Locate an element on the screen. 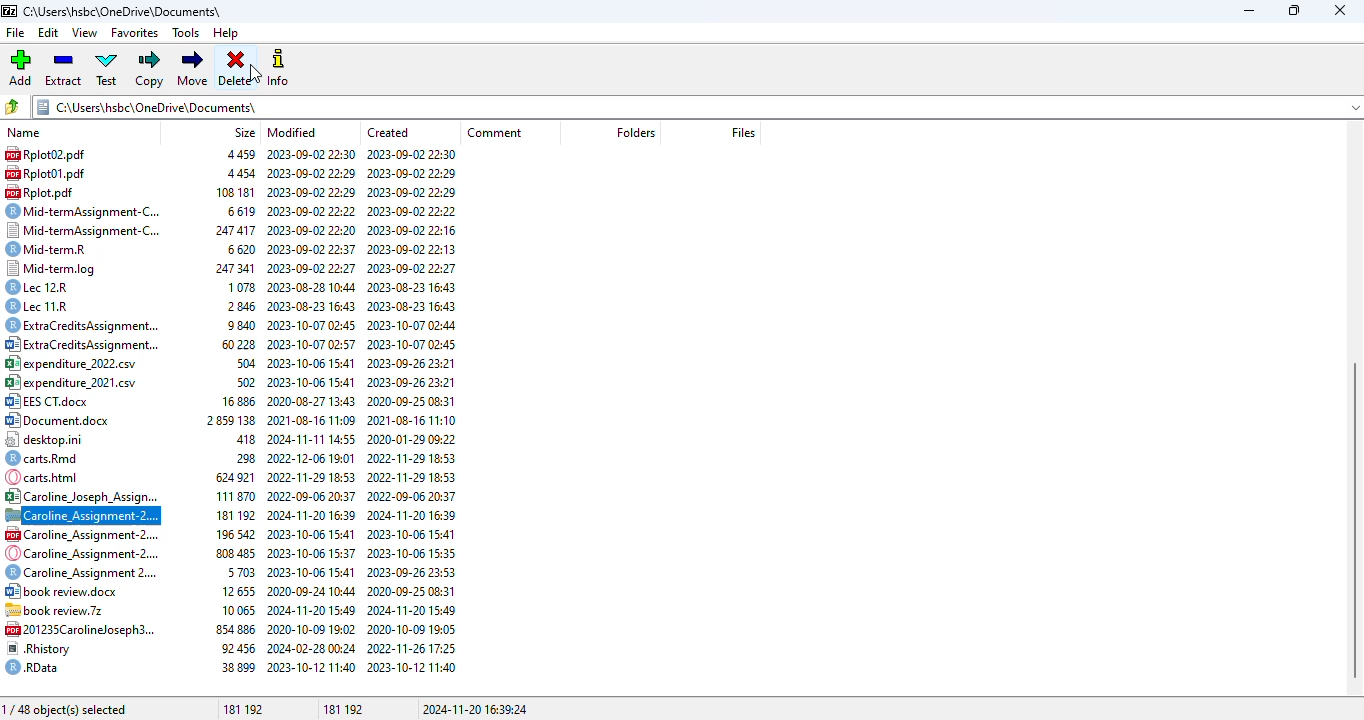  298 is located at coordinates (241, 457).